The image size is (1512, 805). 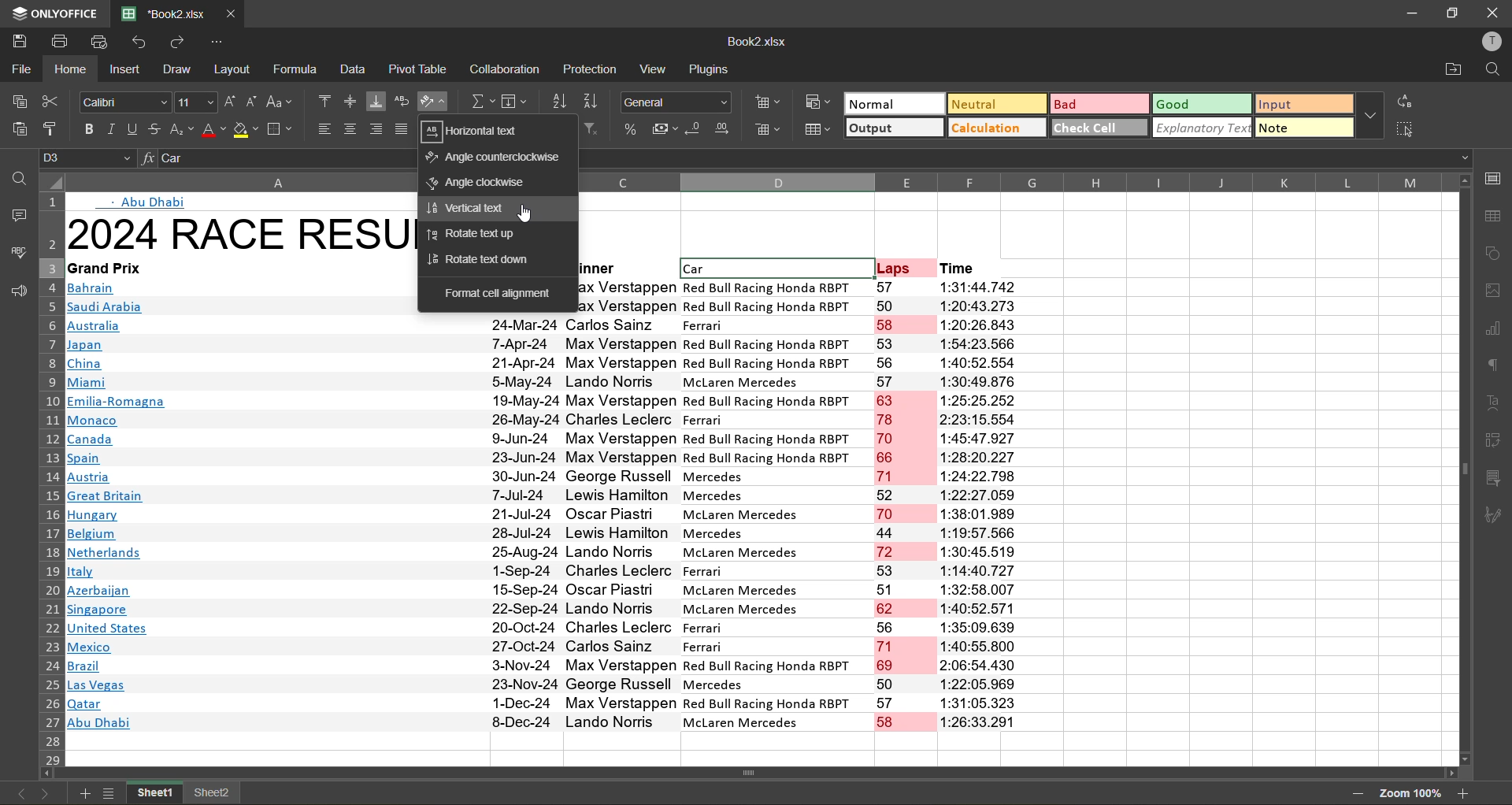 What do you see at coordinates (143, 203) in the screenshot?
I see `Abu dhabi` at bounding box center [143, 203].